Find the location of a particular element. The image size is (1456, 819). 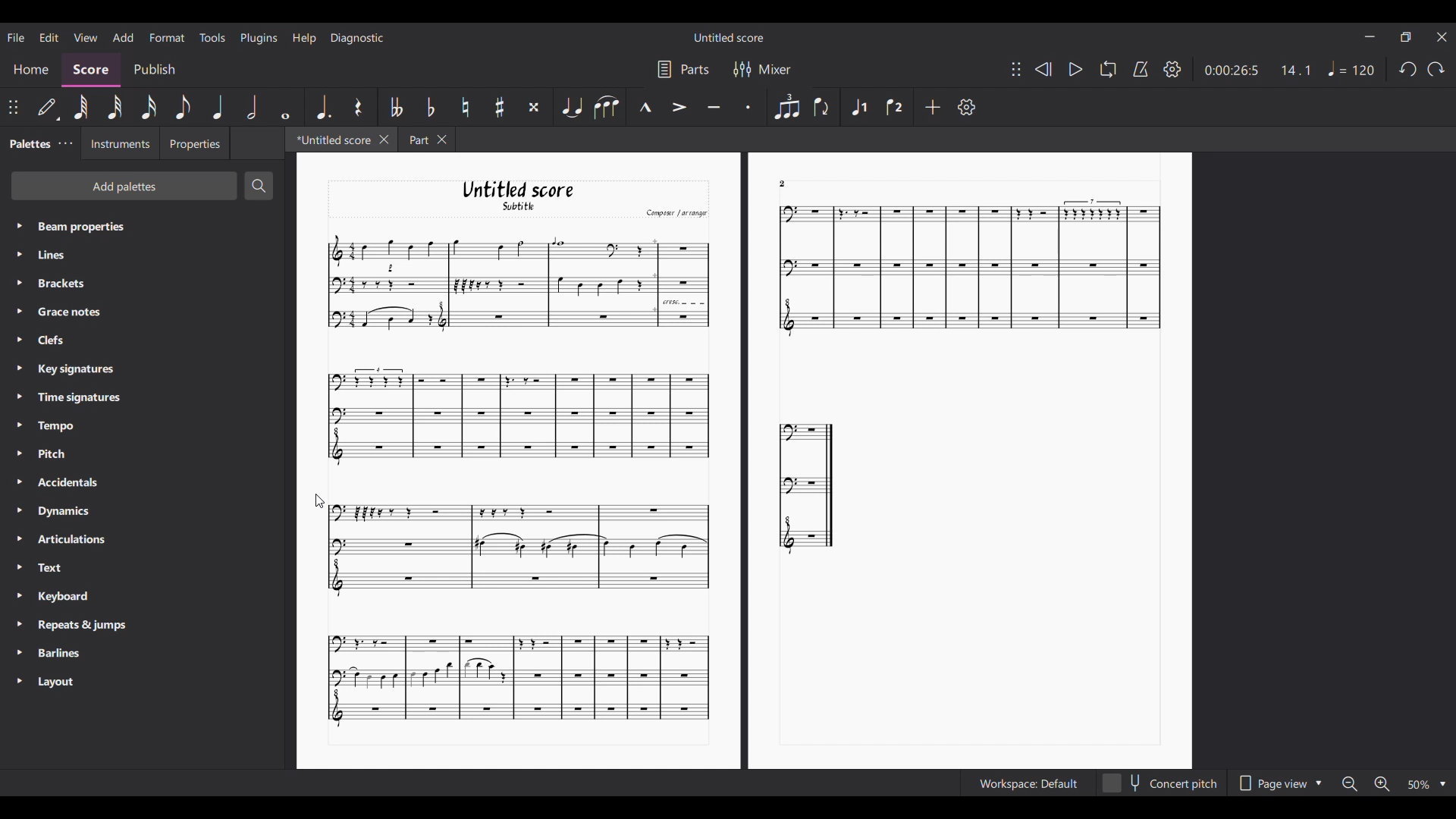

Graph is located at coordinates (510, 546).